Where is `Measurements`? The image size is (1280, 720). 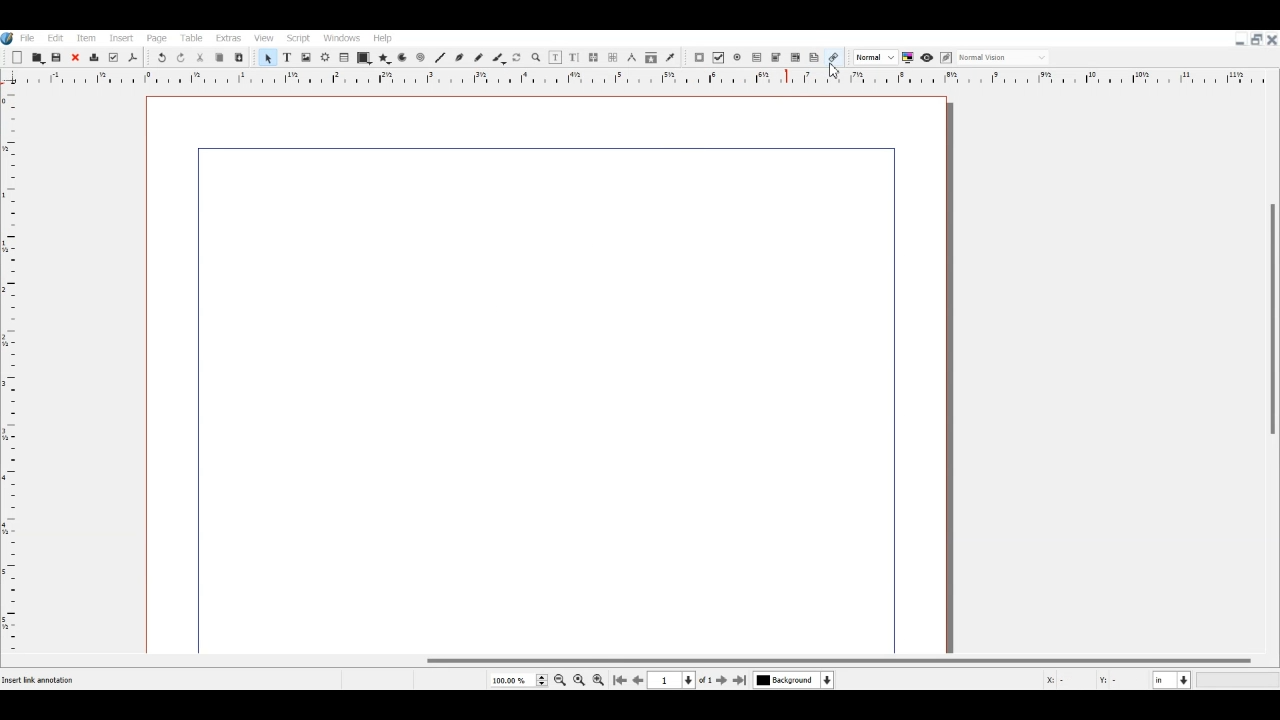
Measurements is located at coordinates (631, 58).